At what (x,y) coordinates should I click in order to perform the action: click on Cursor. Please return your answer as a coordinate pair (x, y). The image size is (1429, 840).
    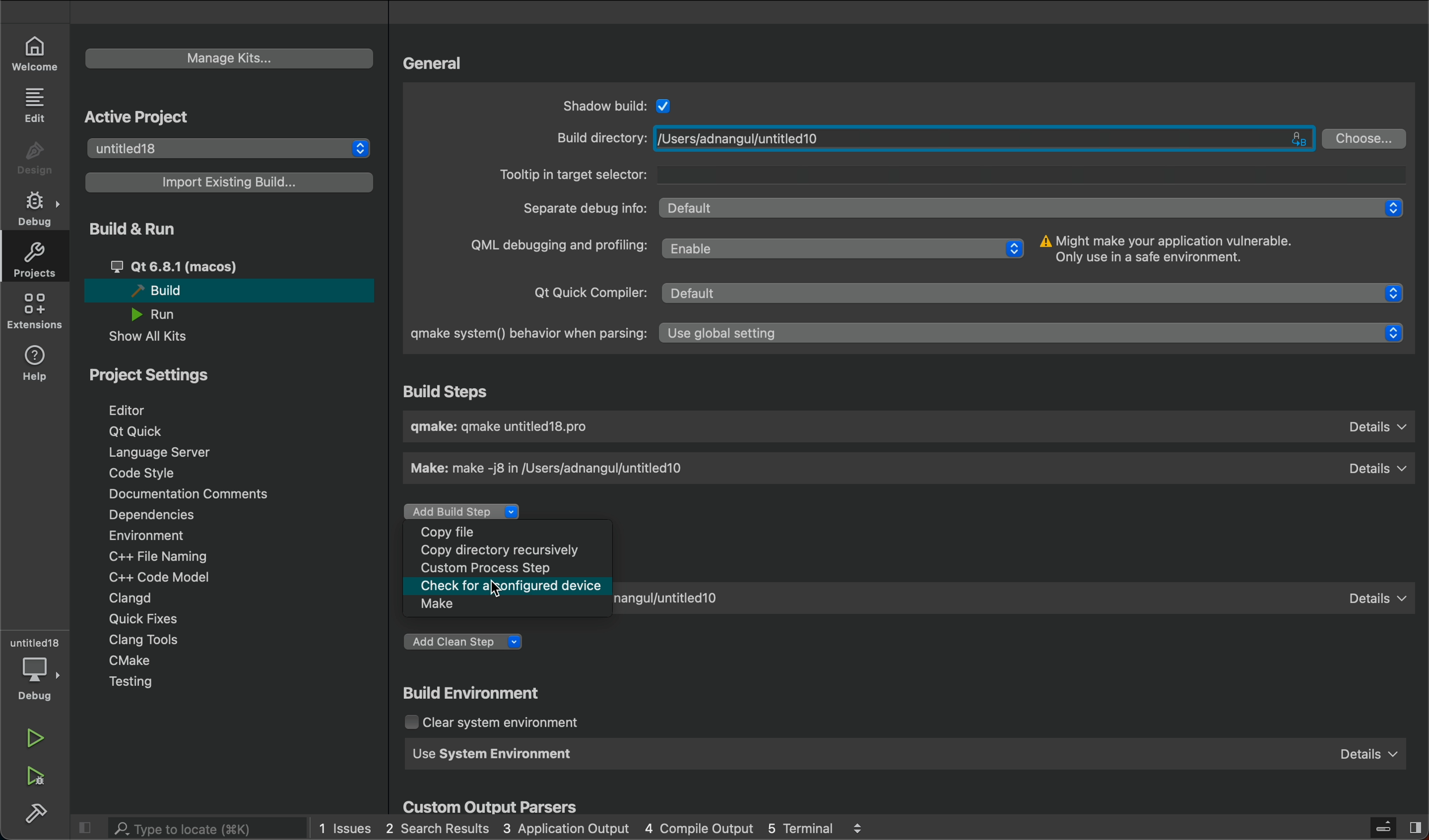
    Looking at the image, I should click on (497, 593).